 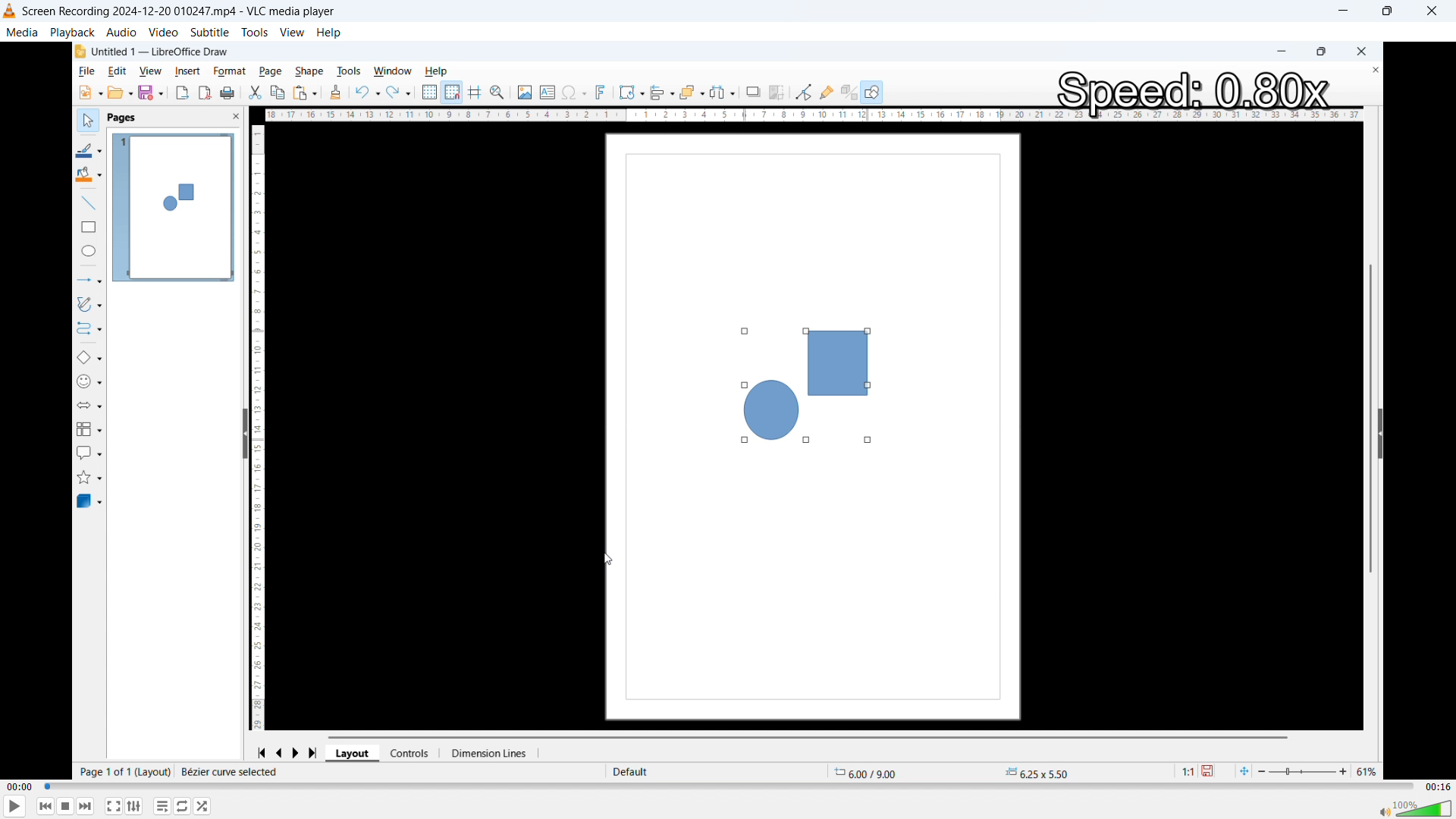 What do you see at coordinates (16, 805) in the screenshot?
I see `play ` at bounding box center [16, 805].